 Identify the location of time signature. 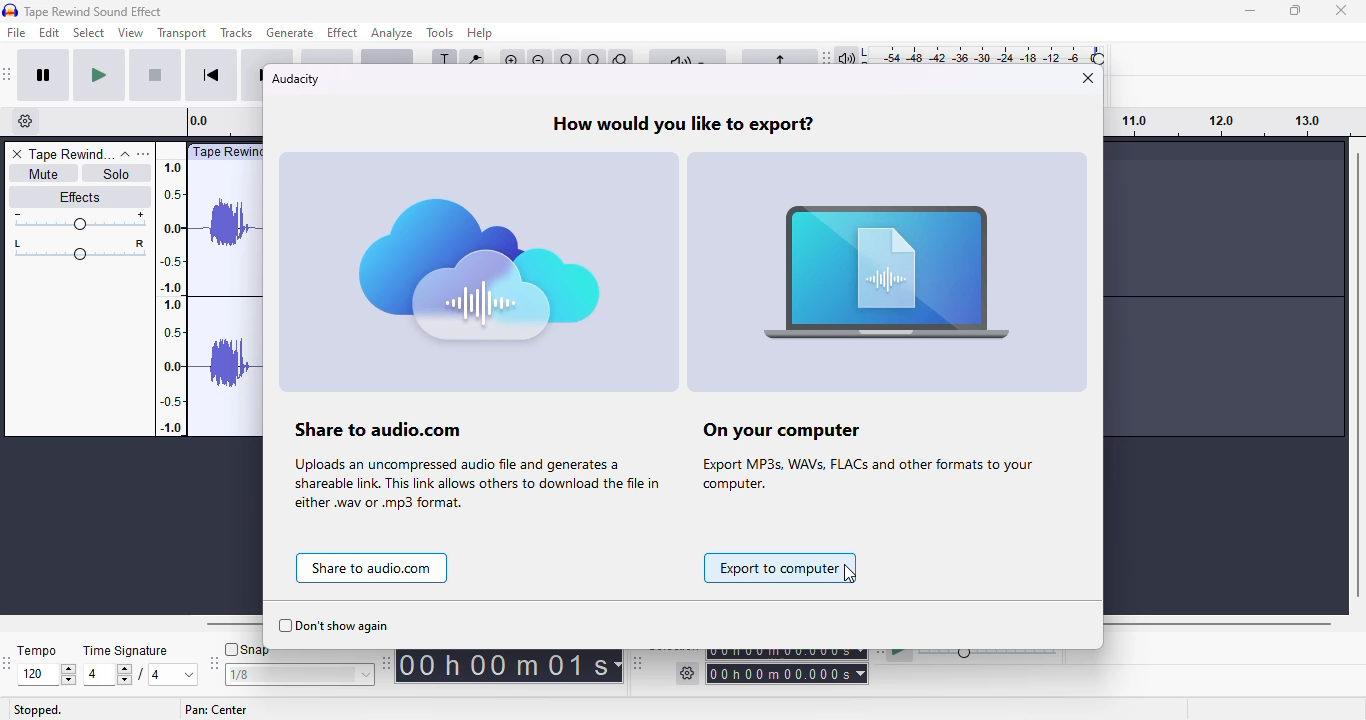
(143, 666).